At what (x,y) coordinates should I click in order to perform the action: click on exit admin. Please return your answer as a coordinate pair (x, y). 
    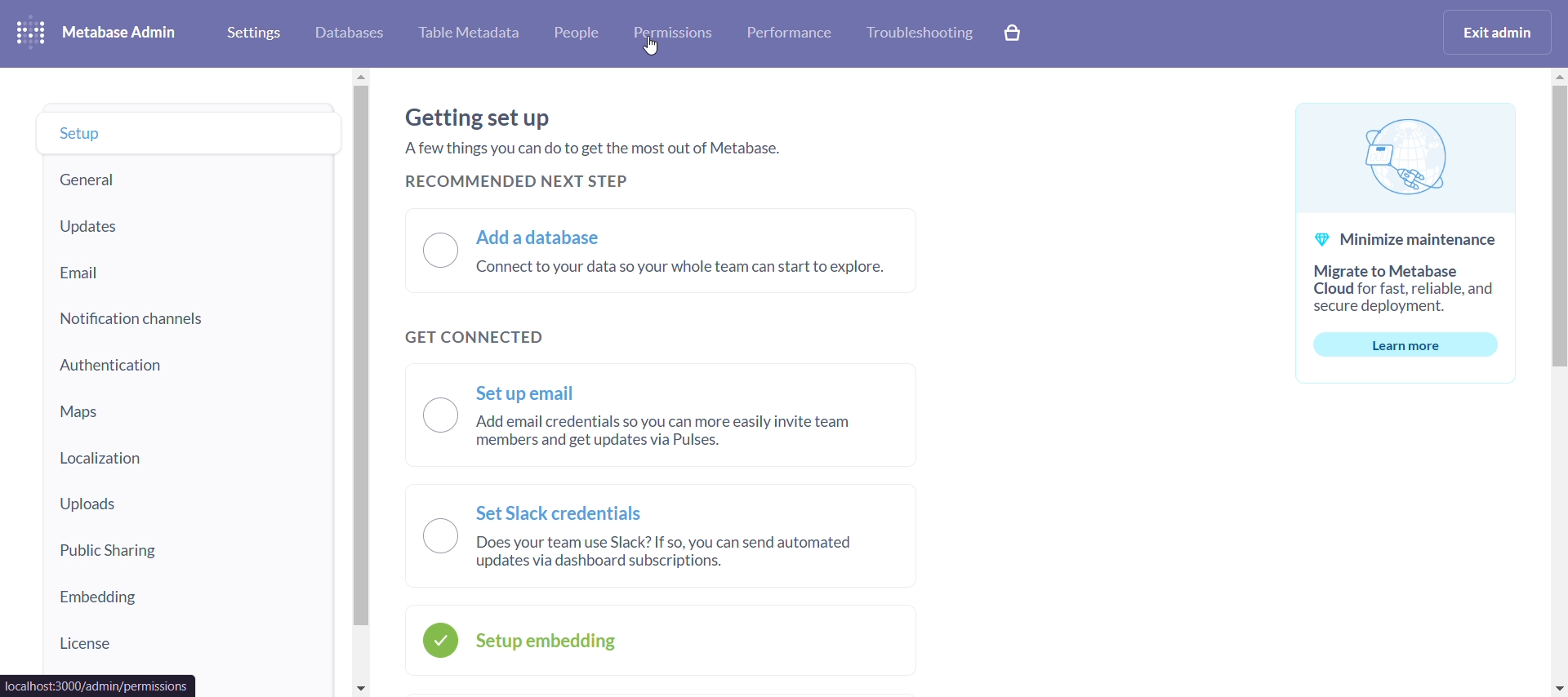
    Looking at the image, I should click on (1497, 30).